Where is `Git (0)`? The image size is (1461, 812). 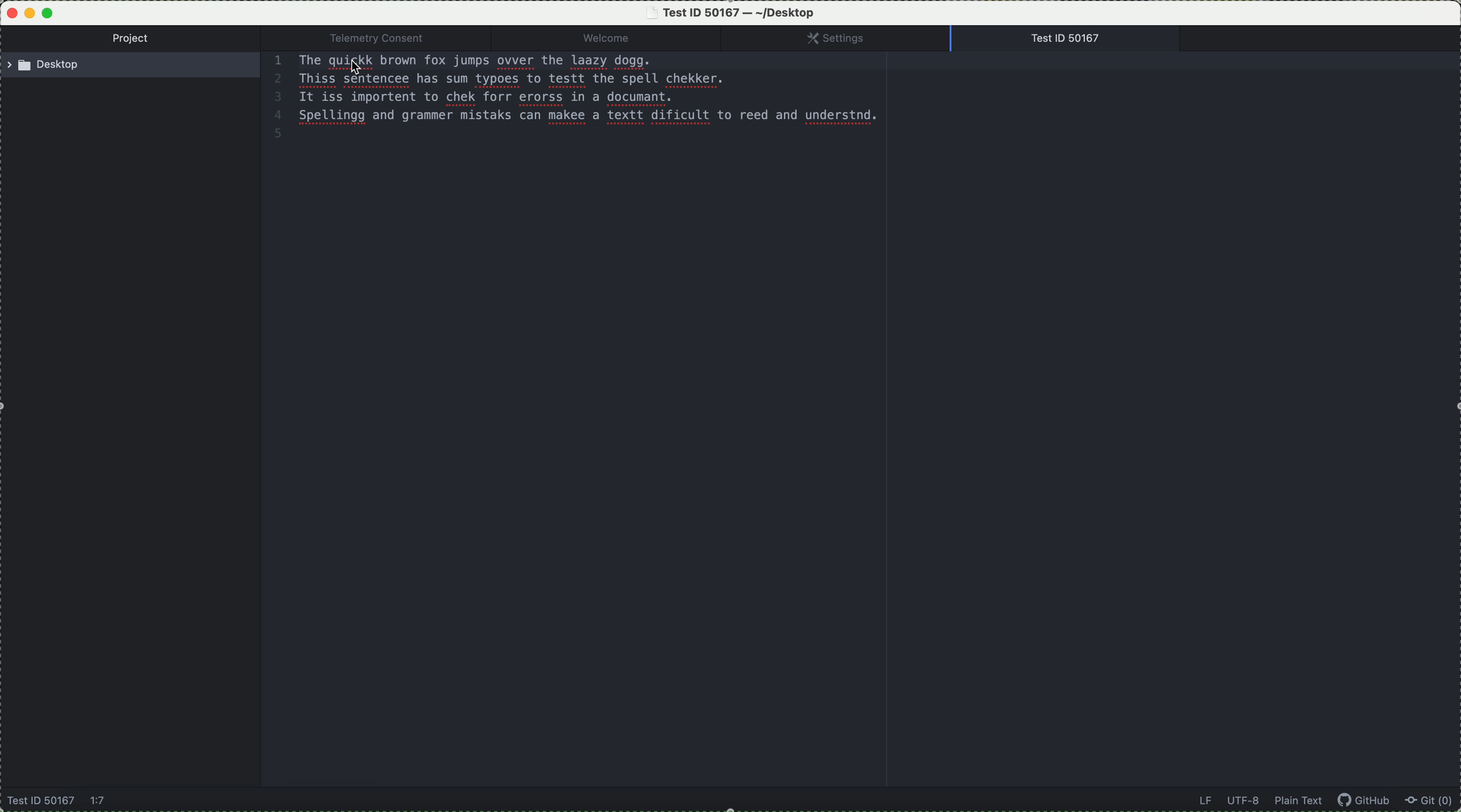
Git (0) is located at coordinates (1433, 802).